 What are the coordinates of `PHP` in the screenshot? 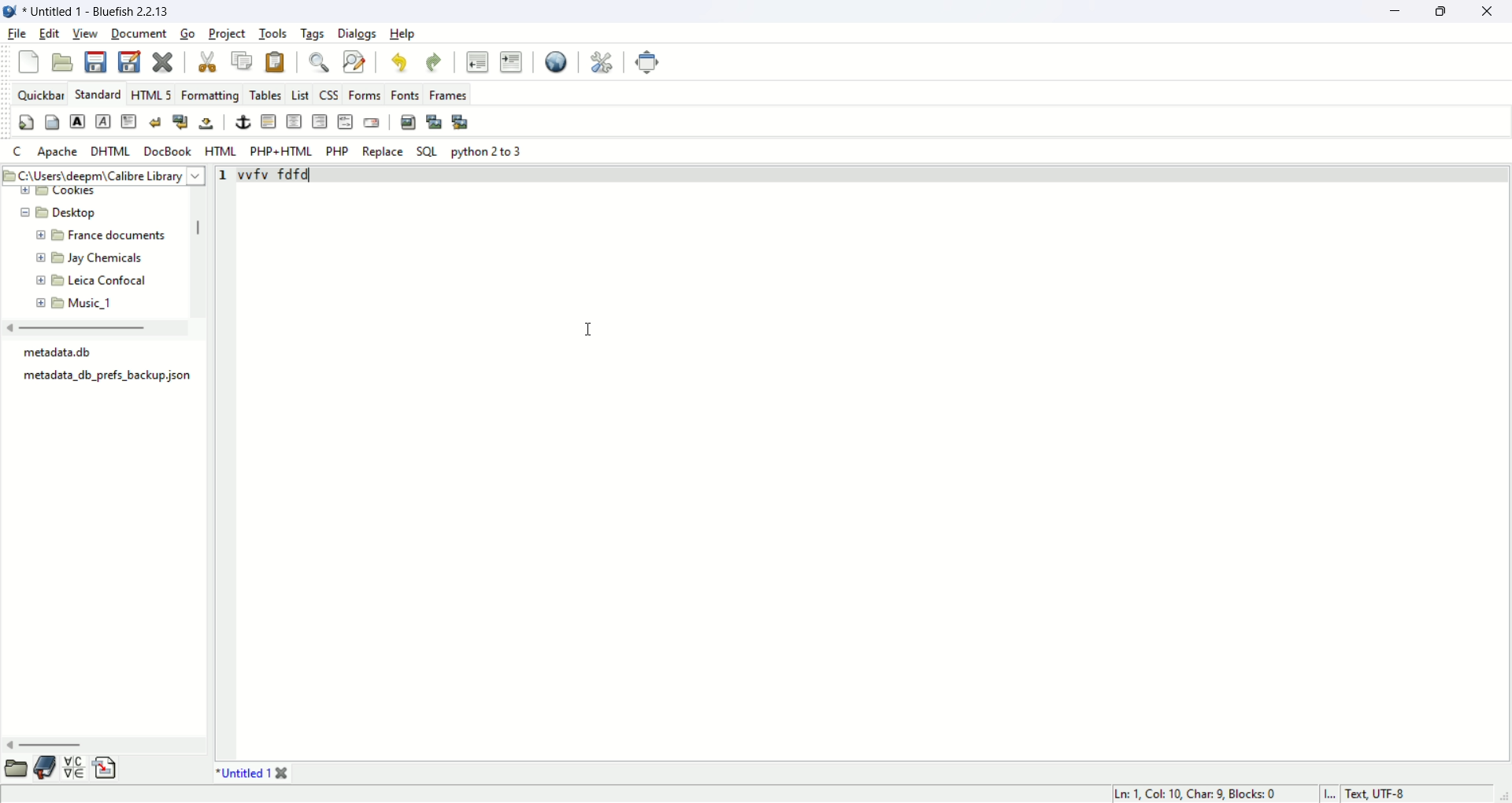 It's located at (337, 150).